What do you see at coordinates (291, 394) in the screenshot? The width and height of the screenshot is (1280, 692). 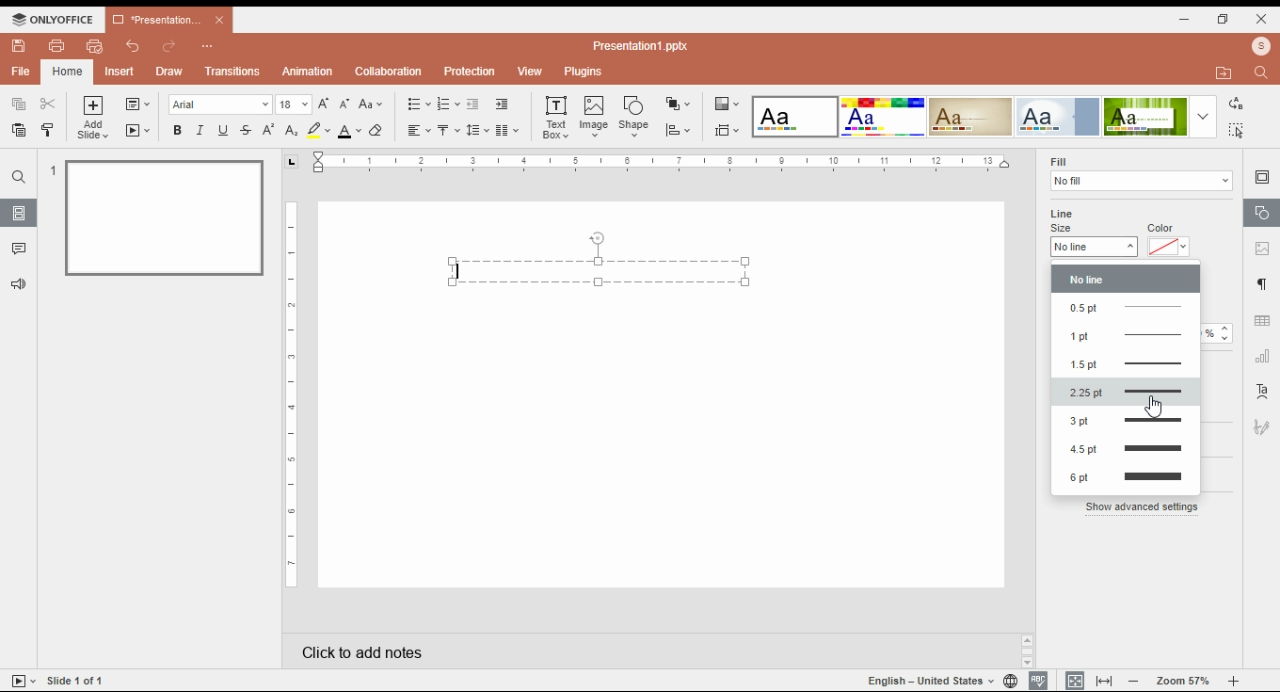 I see `Ruler` at bounding box center [291, 394].